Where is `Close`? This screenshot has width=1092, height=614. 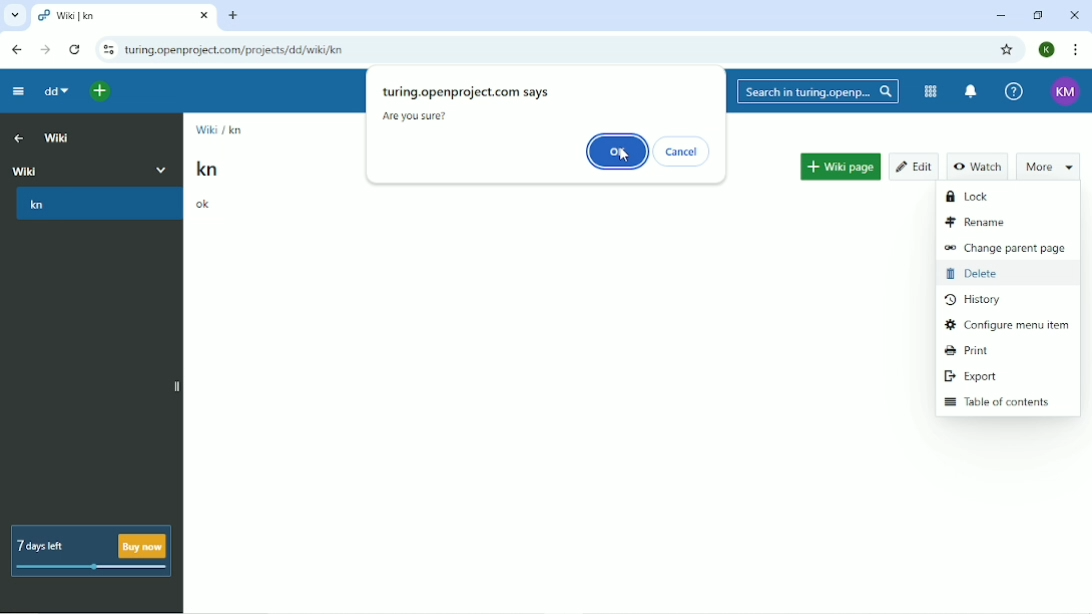 Close is located at coordinates (1072, 15).